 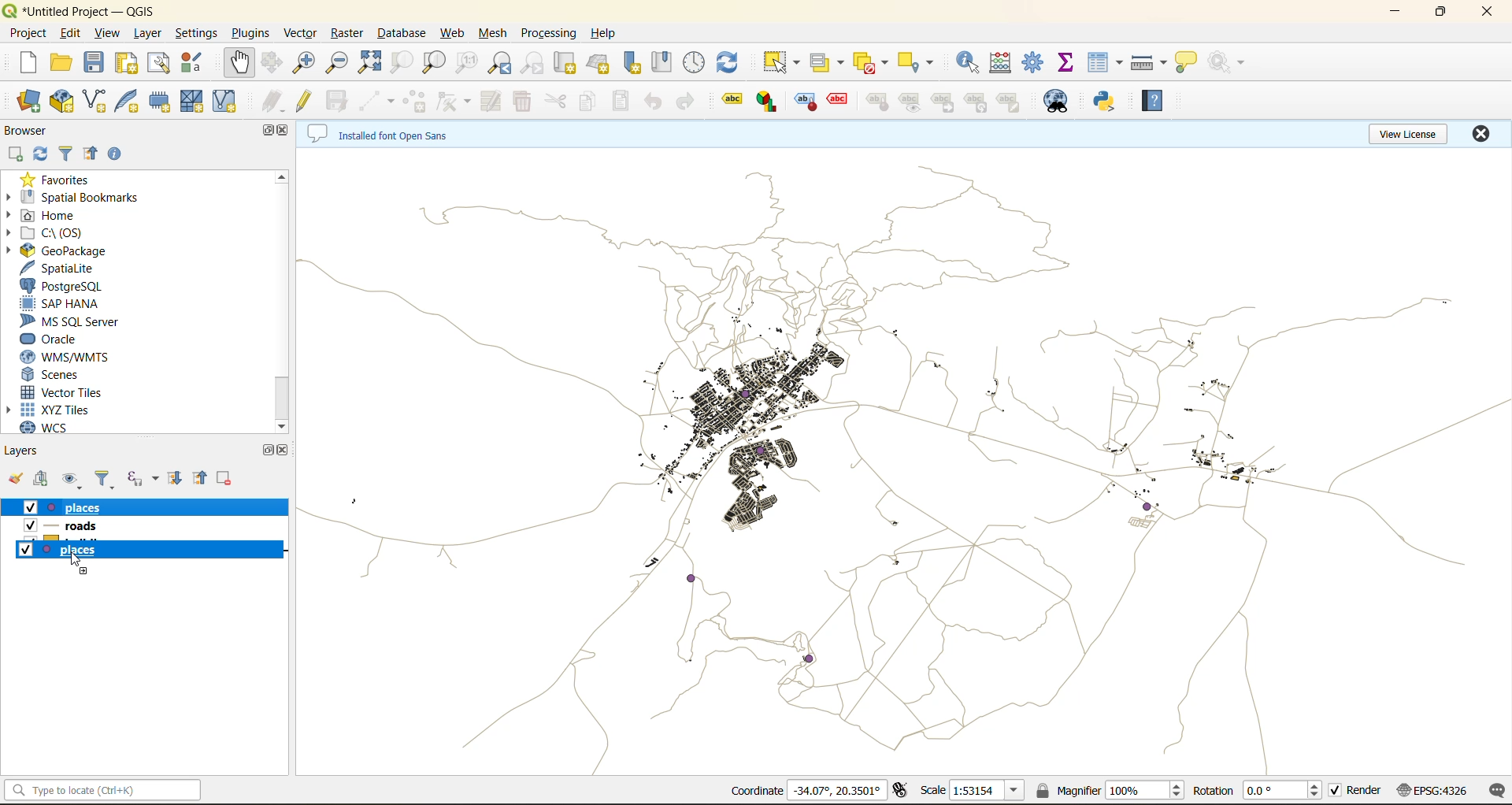 I want to click on scrollbar, so click(x=283, y=400).